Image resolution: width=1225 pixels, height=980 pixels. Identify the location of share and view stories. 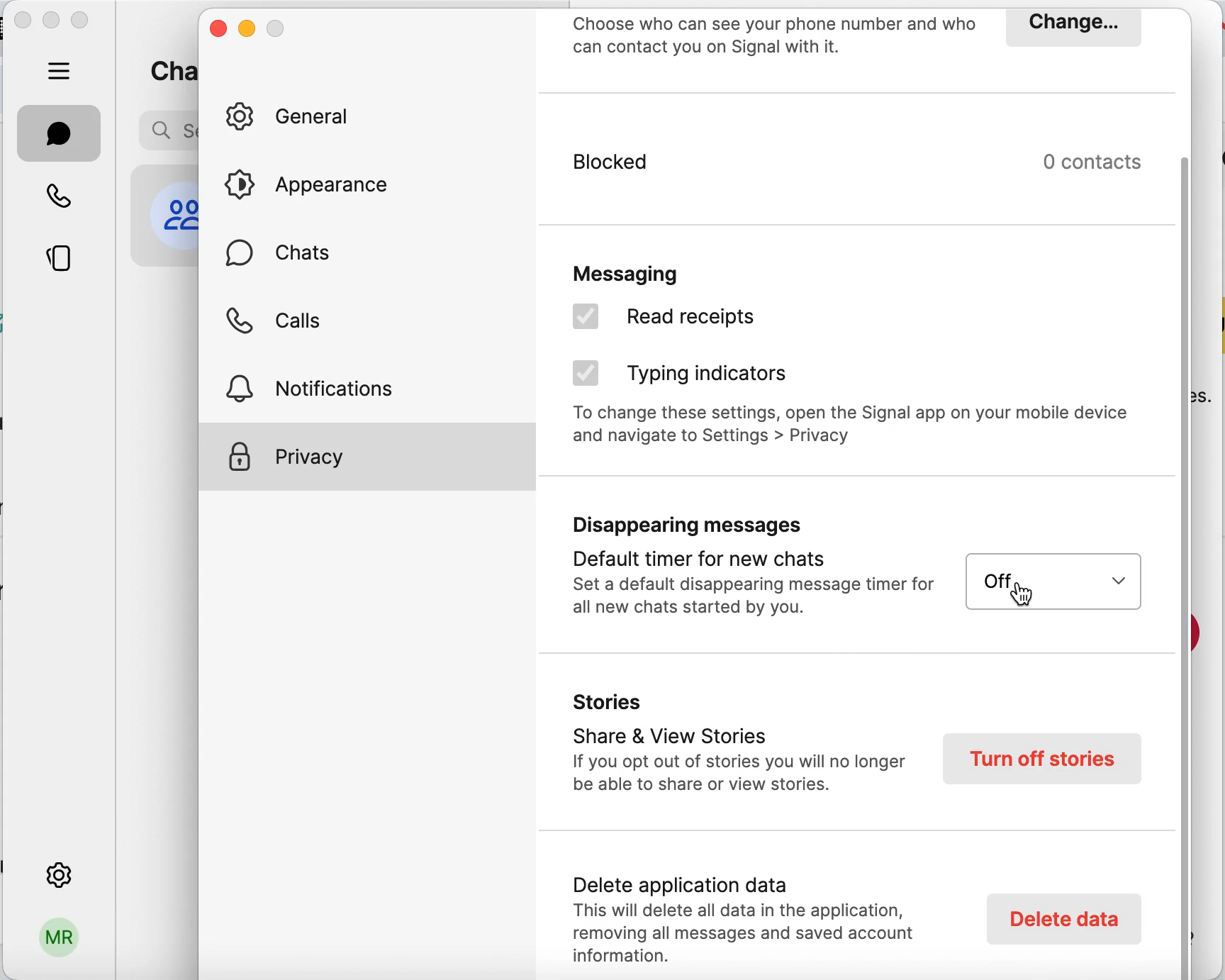
(737, 747).